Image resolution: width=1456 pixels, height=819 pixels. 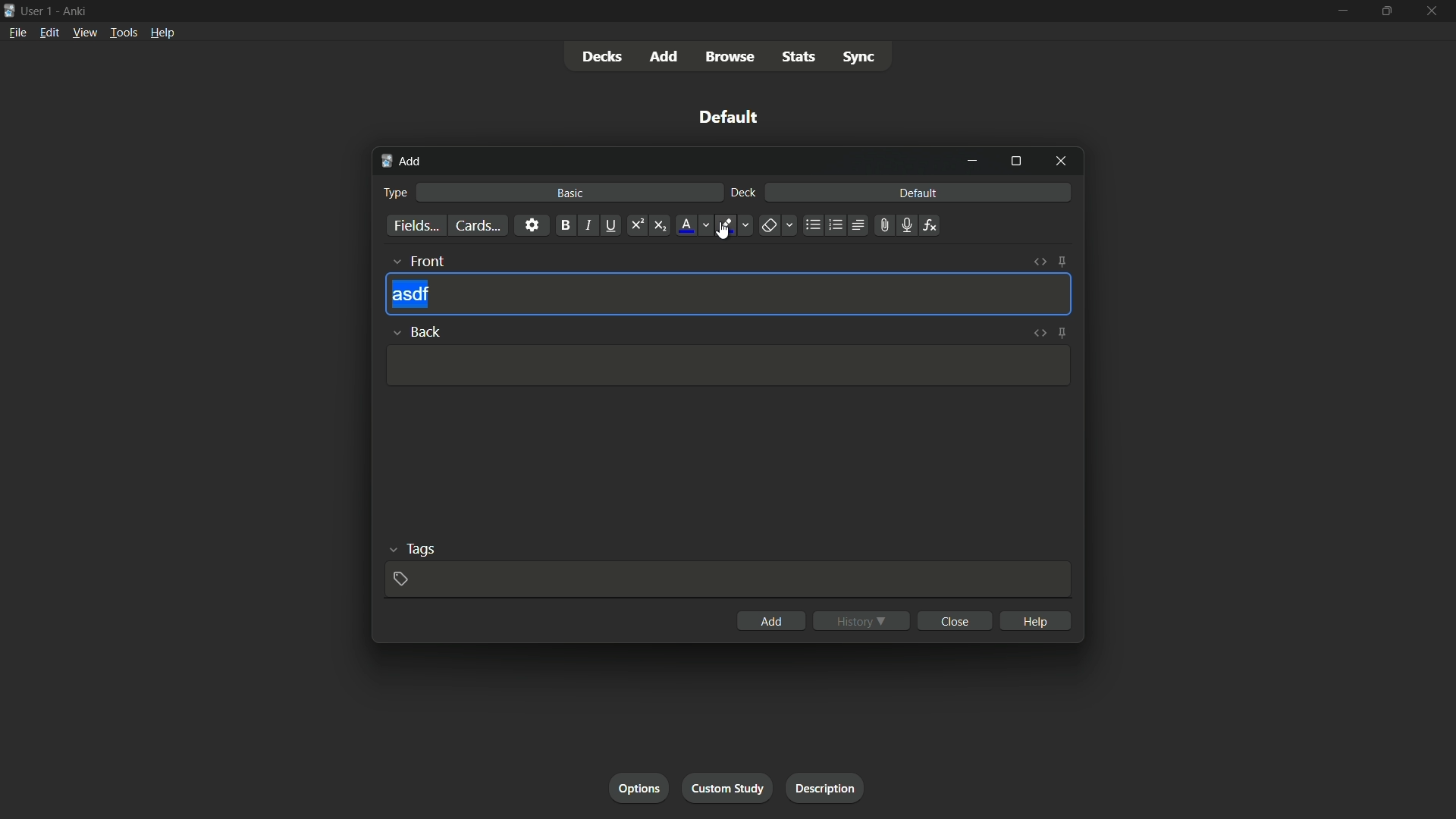 I want to click on sync, so click(x=859, y=57).